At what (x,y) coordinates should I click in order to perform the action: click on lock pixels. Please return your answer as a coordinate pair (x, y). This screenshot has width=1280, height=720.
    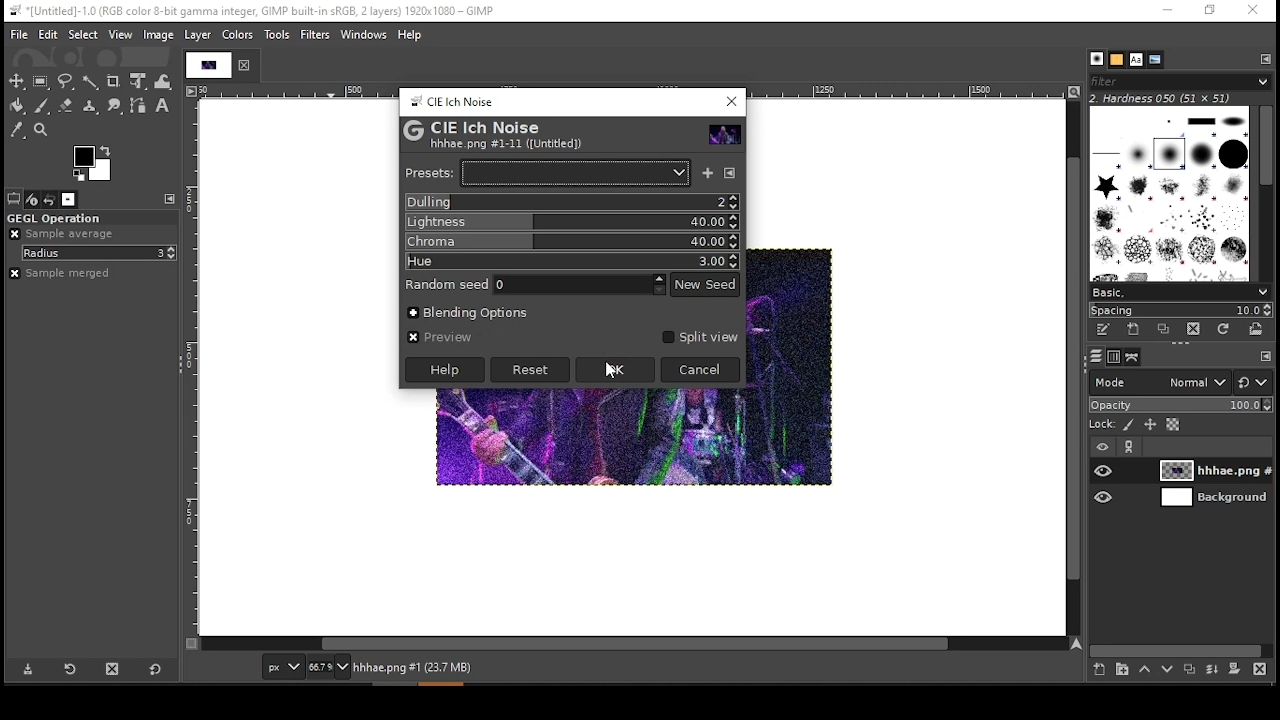
    Looking at the image, I should click on (1126, 425).